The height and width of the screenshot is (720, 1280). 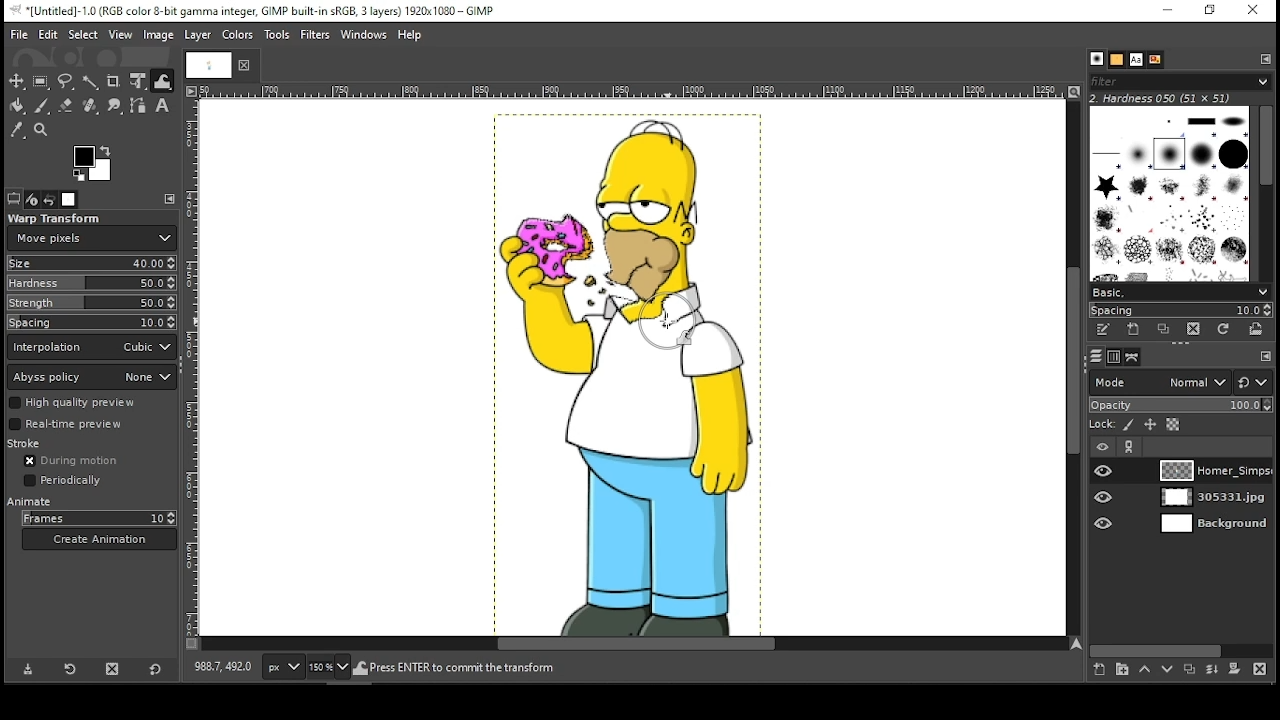 I want to click on edit, so click(x=48, y=35).